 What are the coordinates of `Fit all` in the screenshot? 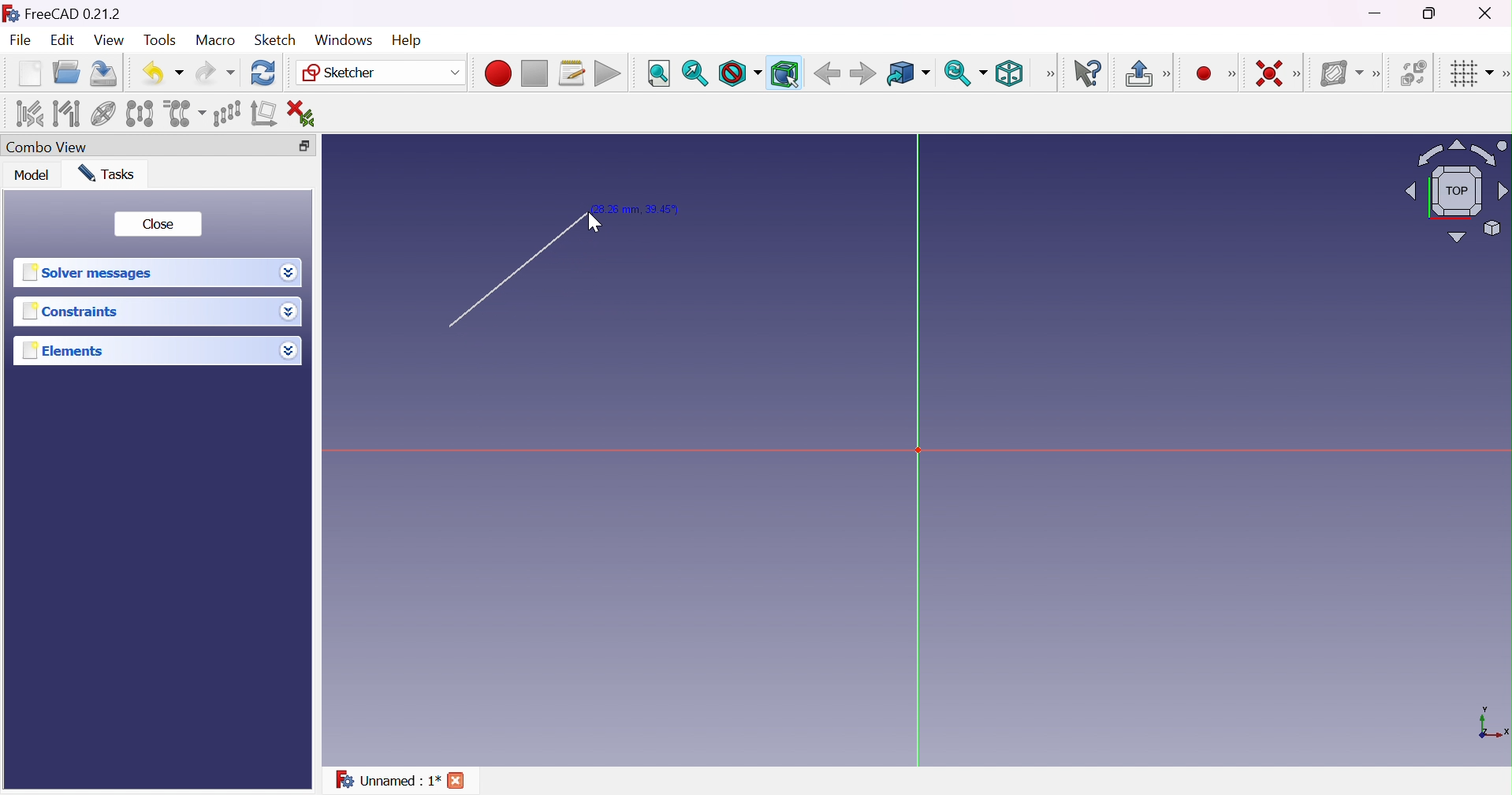 It's located at (657, 73).